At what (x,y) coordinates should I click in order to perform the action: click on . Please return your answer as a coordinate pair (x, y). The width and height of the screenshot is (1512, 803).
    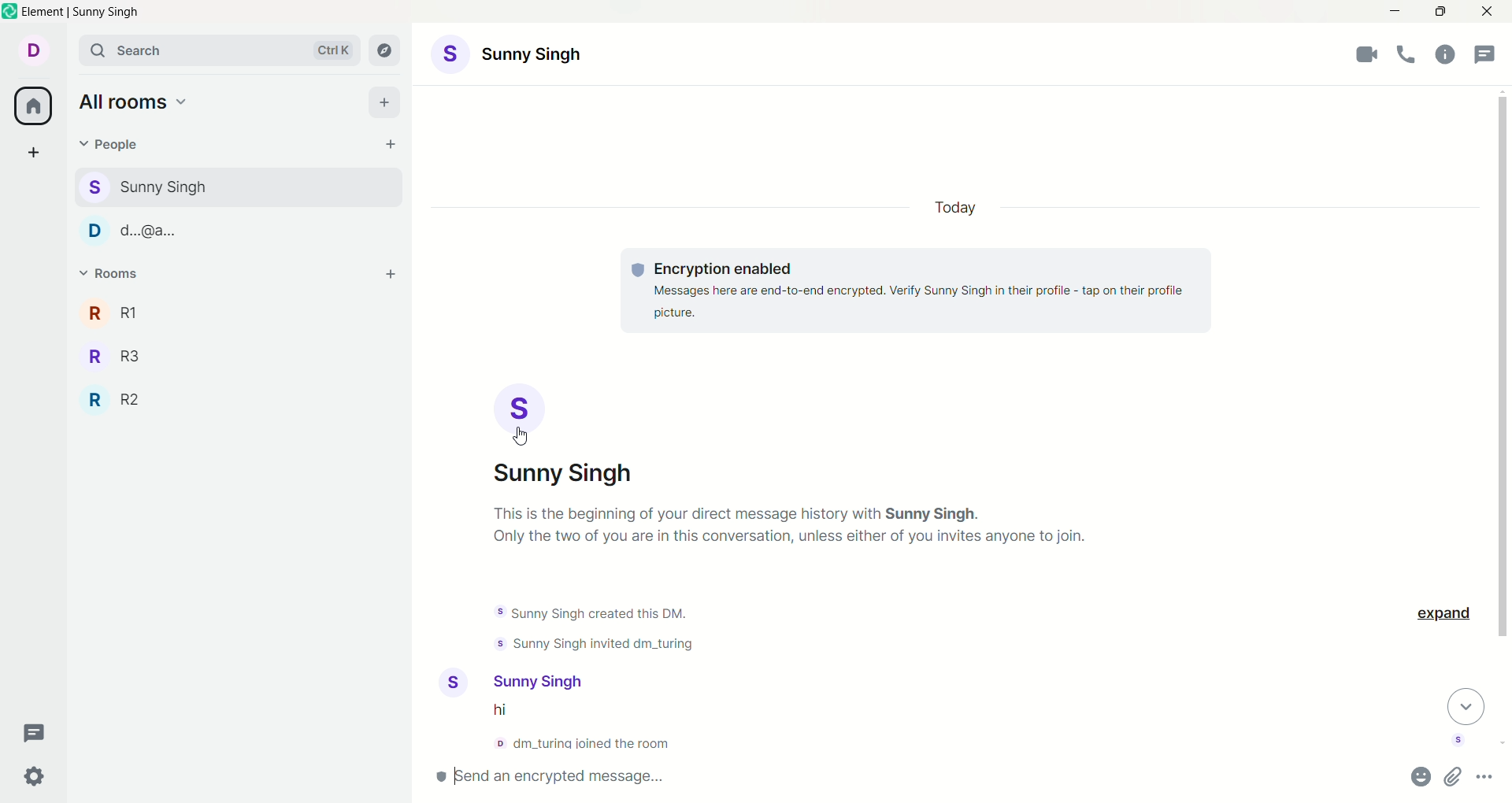
    Looking at the image, I should click on (921, 290).